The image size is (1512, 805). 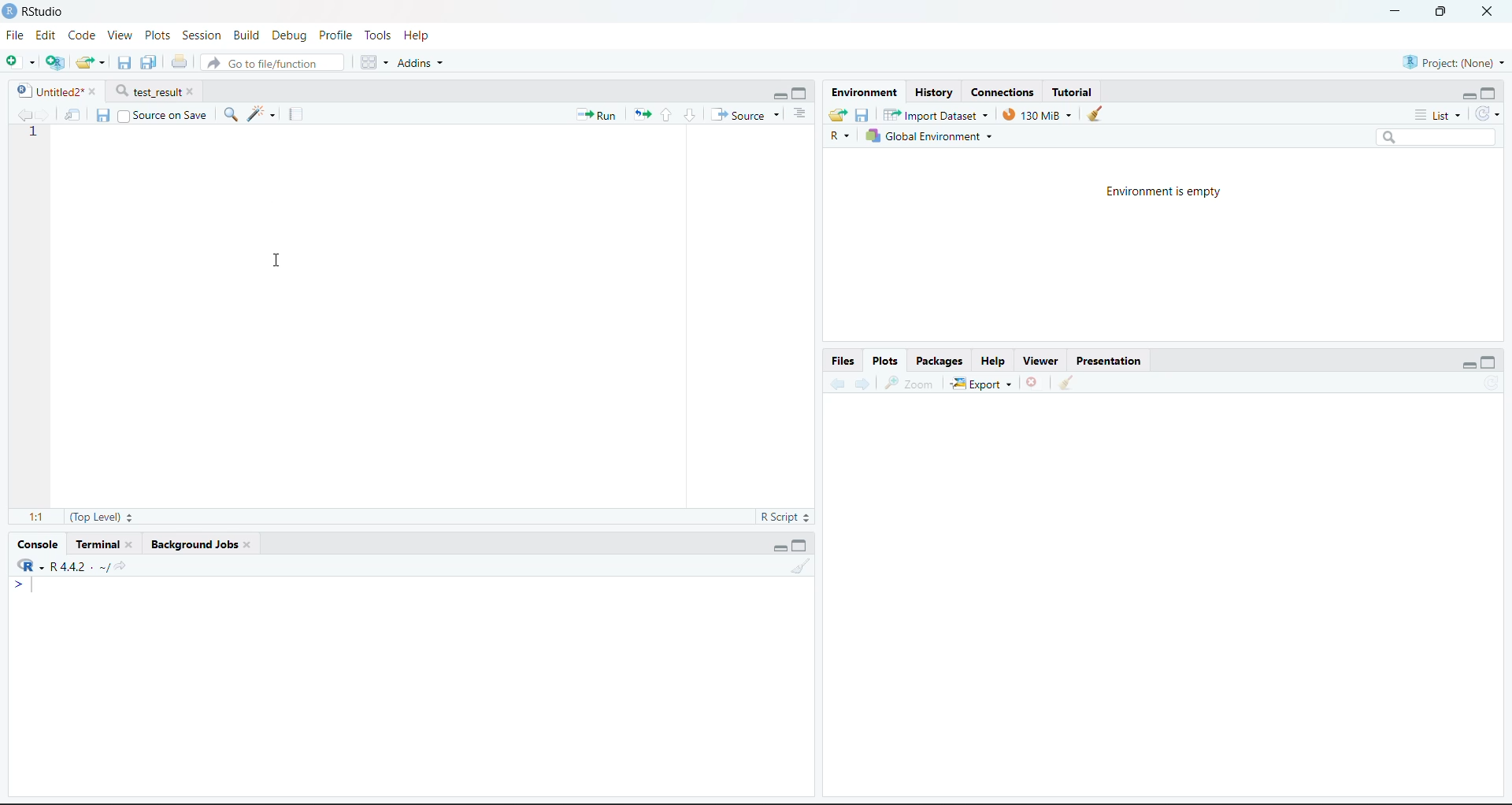 I want to click on Minimize, so click(x=1390, y=12).